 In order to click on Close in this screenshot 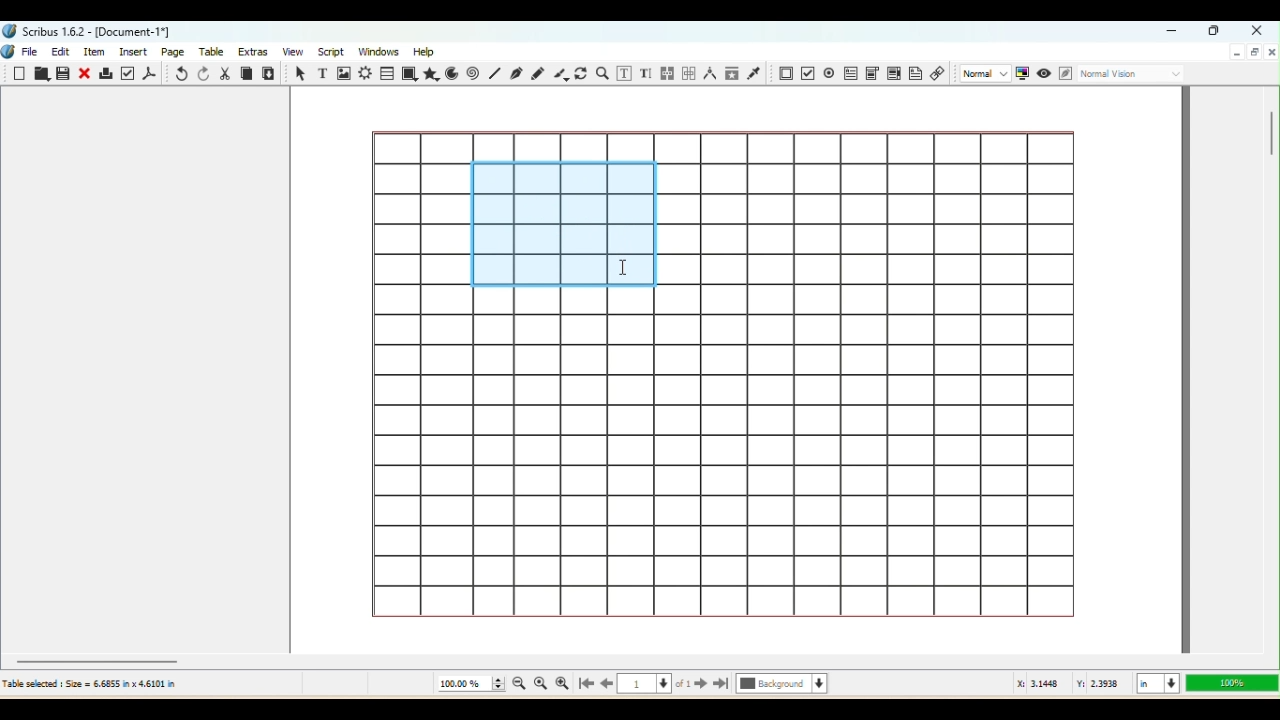, I will do `click(1254, 29)`.